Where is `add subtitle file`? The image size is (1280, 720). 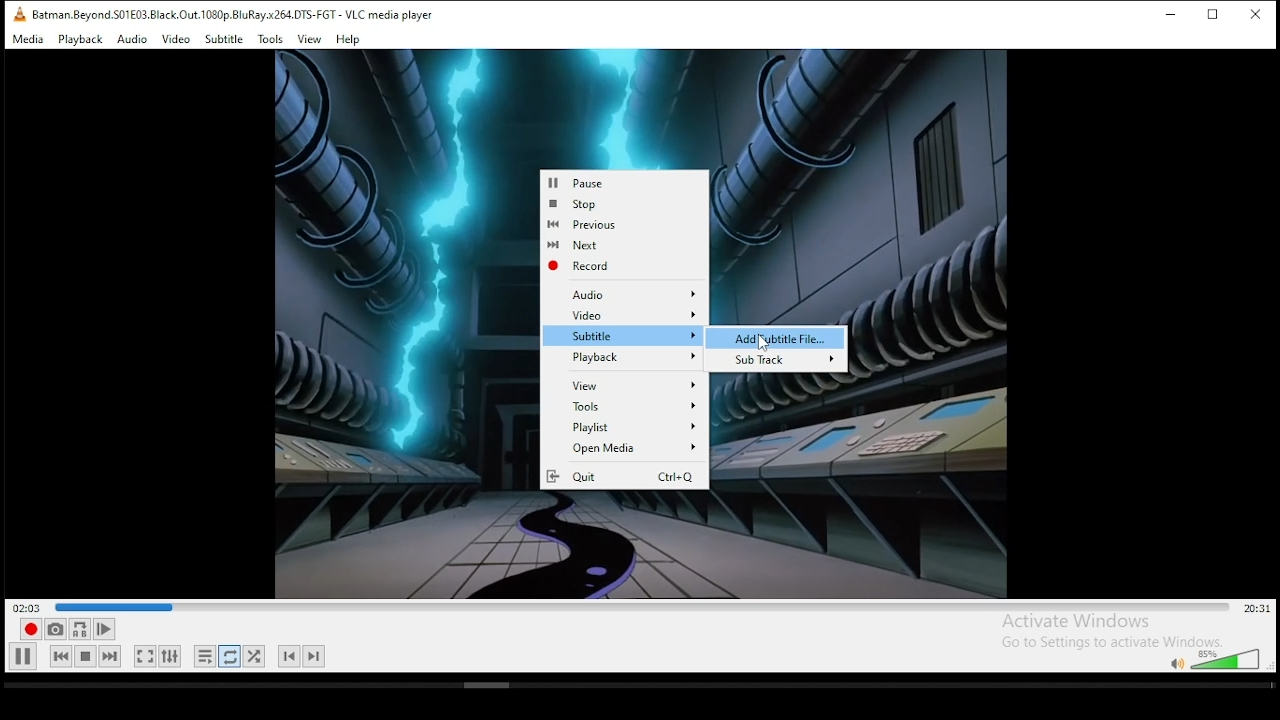 add subtitle file is located at coordinates (778, 338).